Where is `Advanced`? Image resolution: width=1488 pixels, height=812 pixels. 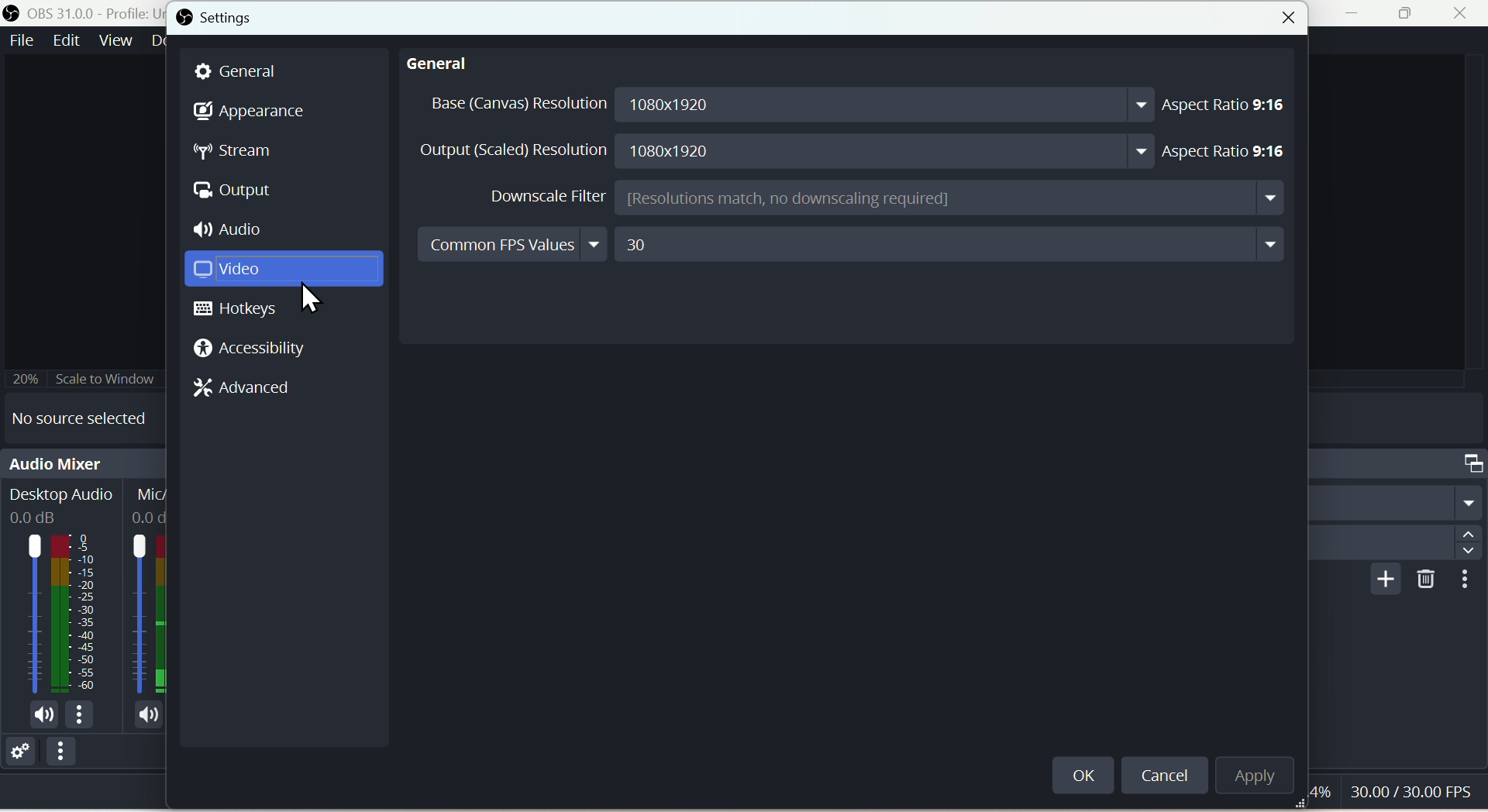
Advanced is located at coordinates (247, 386).